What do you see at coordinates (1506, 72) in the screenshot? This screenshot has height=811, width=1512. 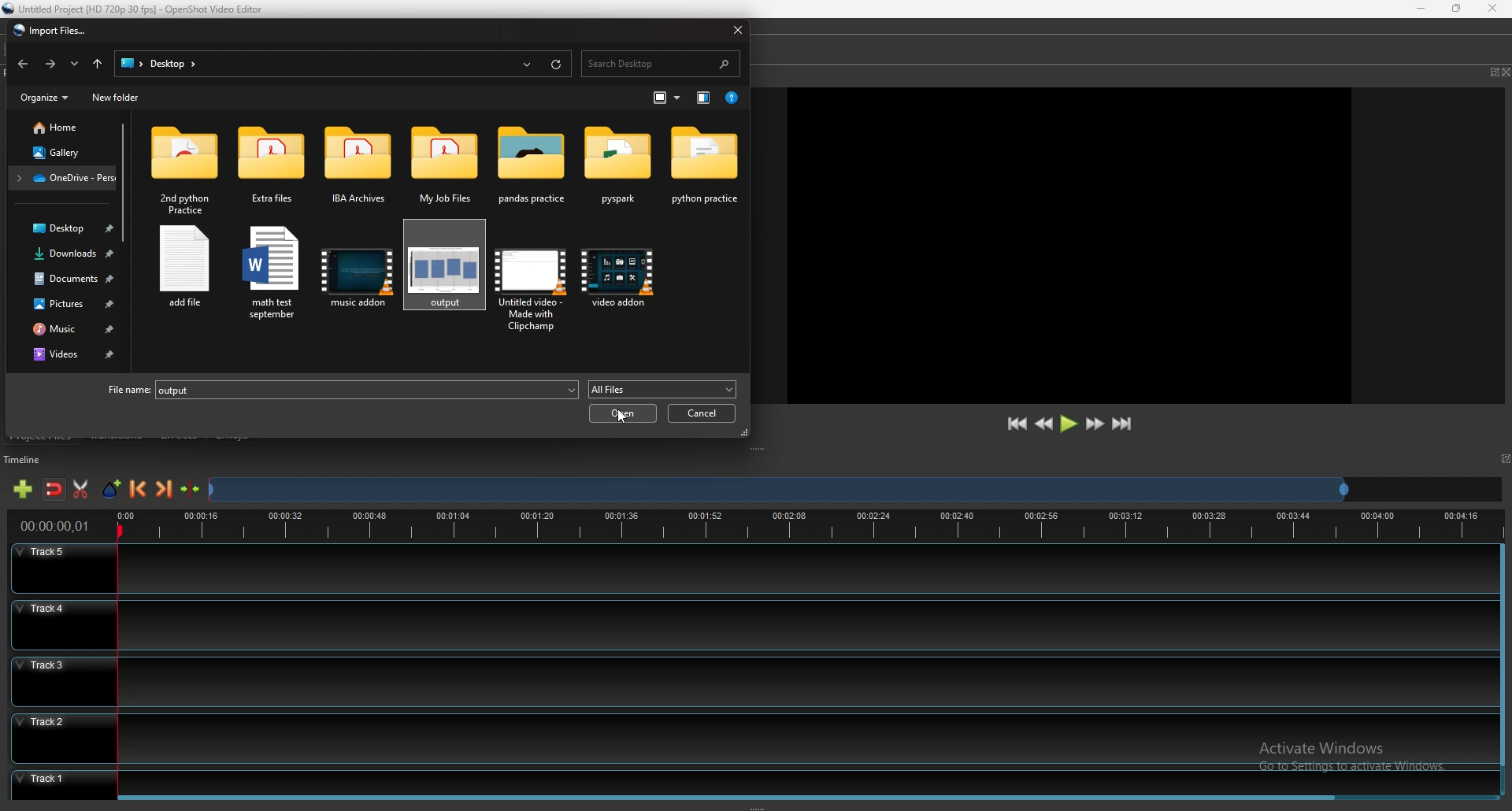 I see `close` at bounding box center [1506, 72].